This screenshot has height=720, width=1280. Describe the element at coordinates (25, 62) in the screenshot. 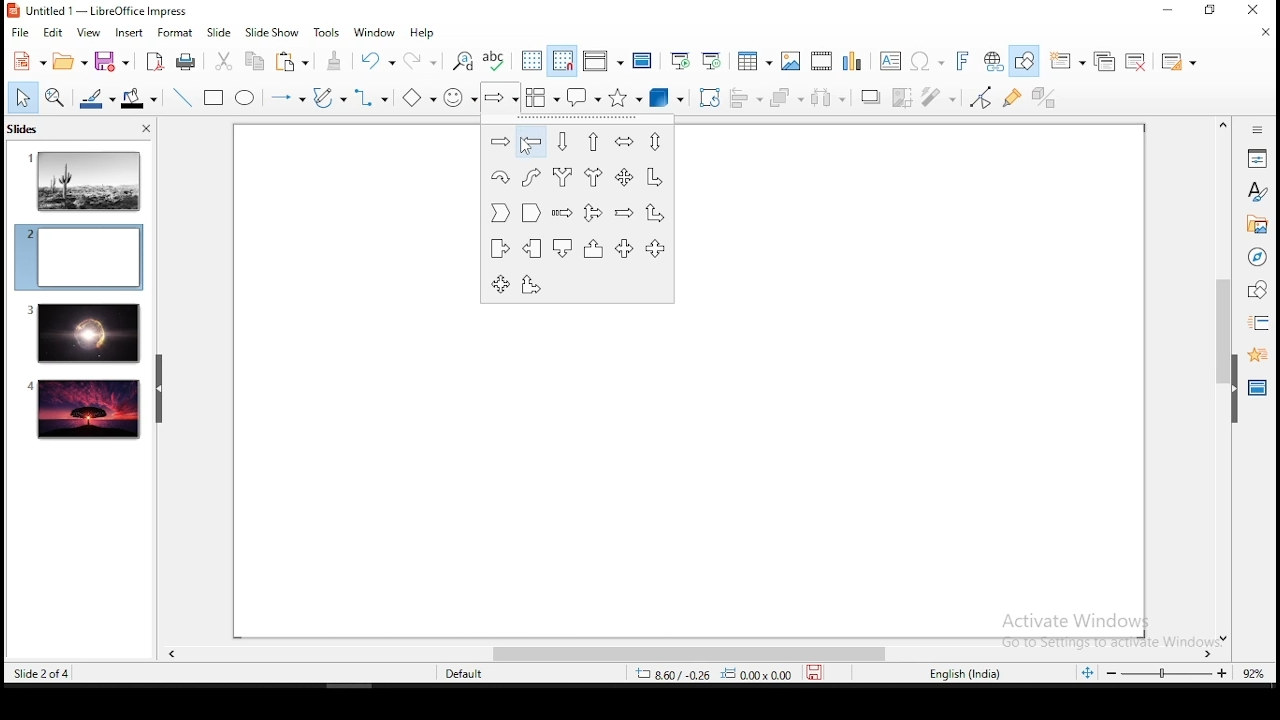

I see `new` at that location.